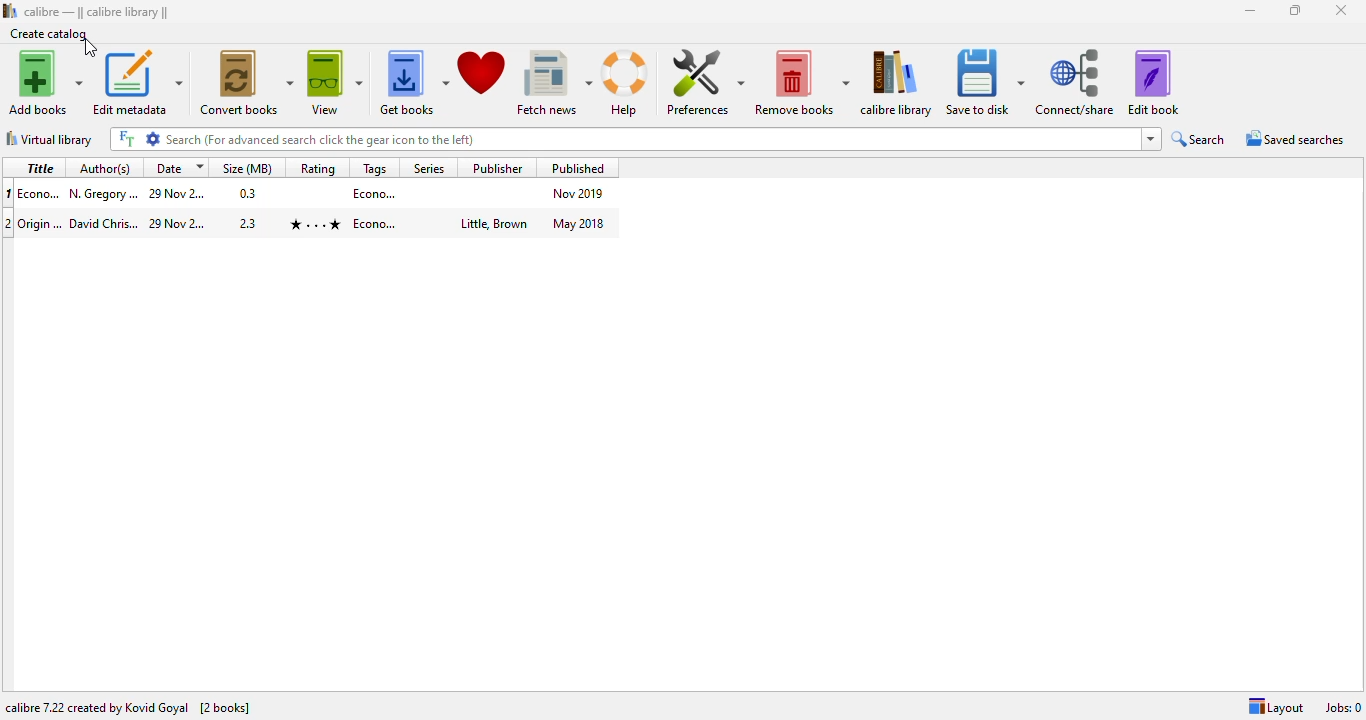  What do you see at coordinates (97, 707) in the screenshot?
I see `calibre 7.22 created by Kovid Goyal` at bounding box center [97, 707].